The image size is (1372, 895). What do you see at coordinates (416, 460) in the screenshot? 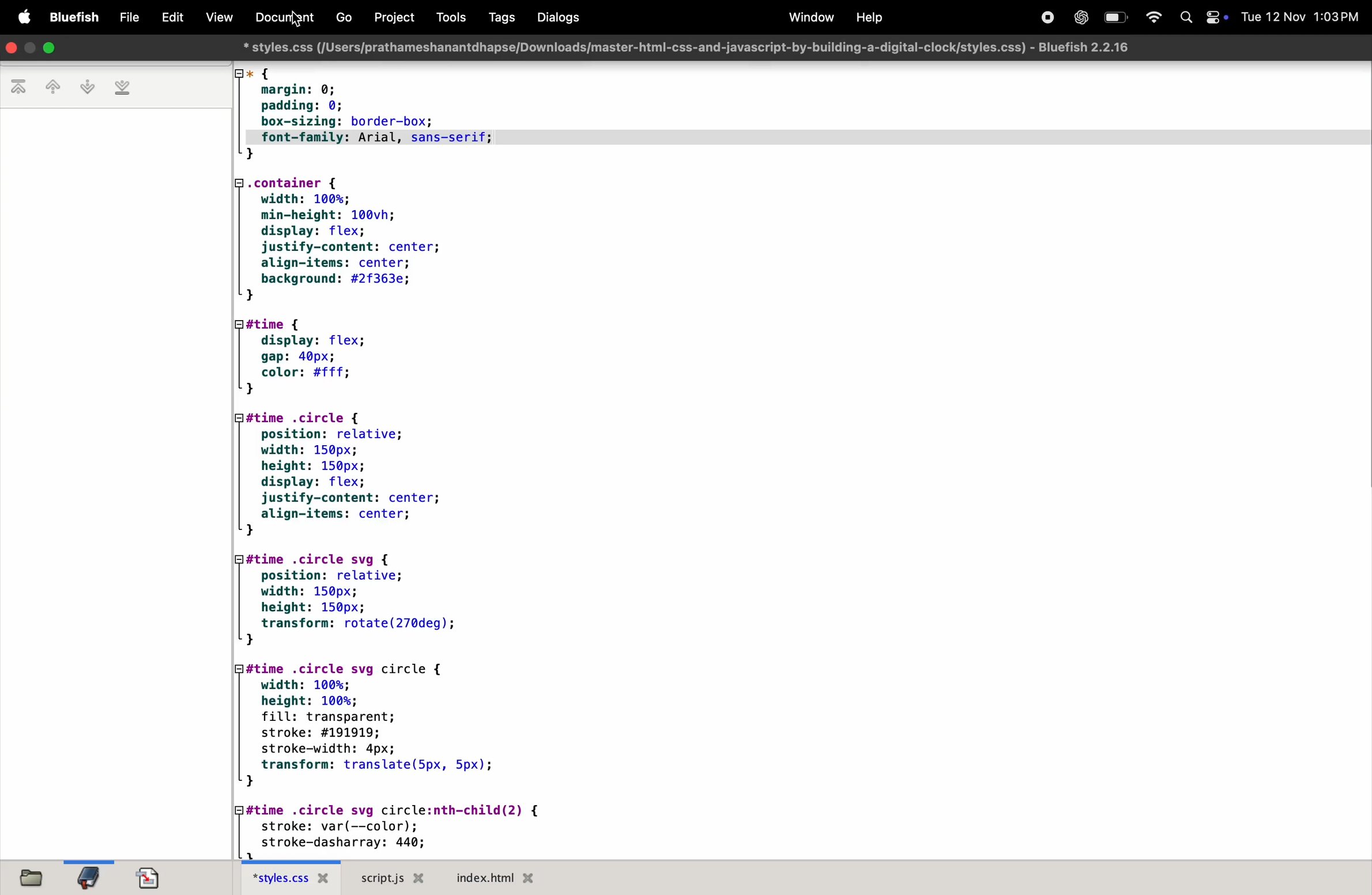
I see `code block` at bounding box center [416, 460].